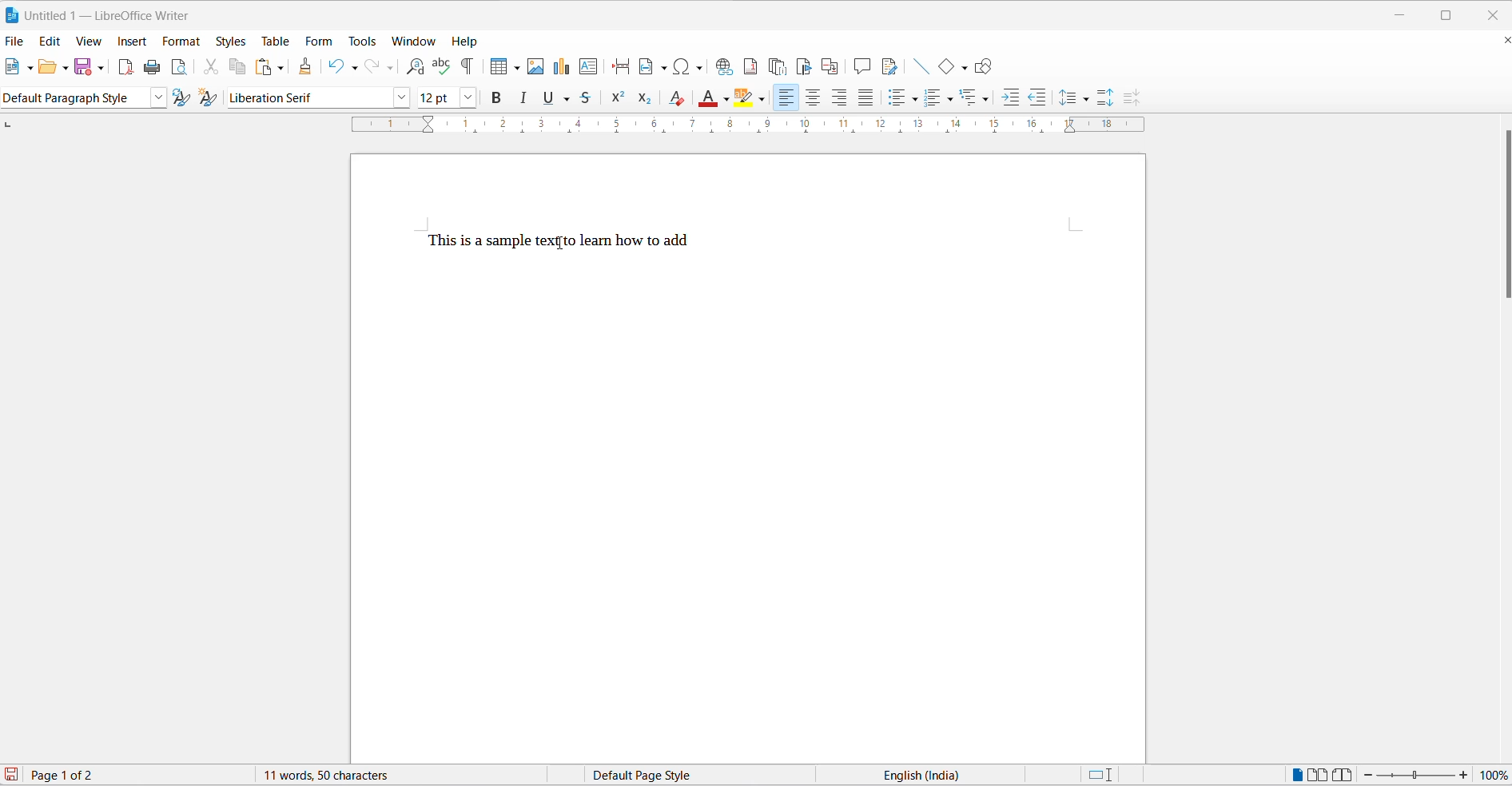 Image resolution: width=1512 pixels, height=786 pixels. I want to click on decrease indent, so click(1038, 97).